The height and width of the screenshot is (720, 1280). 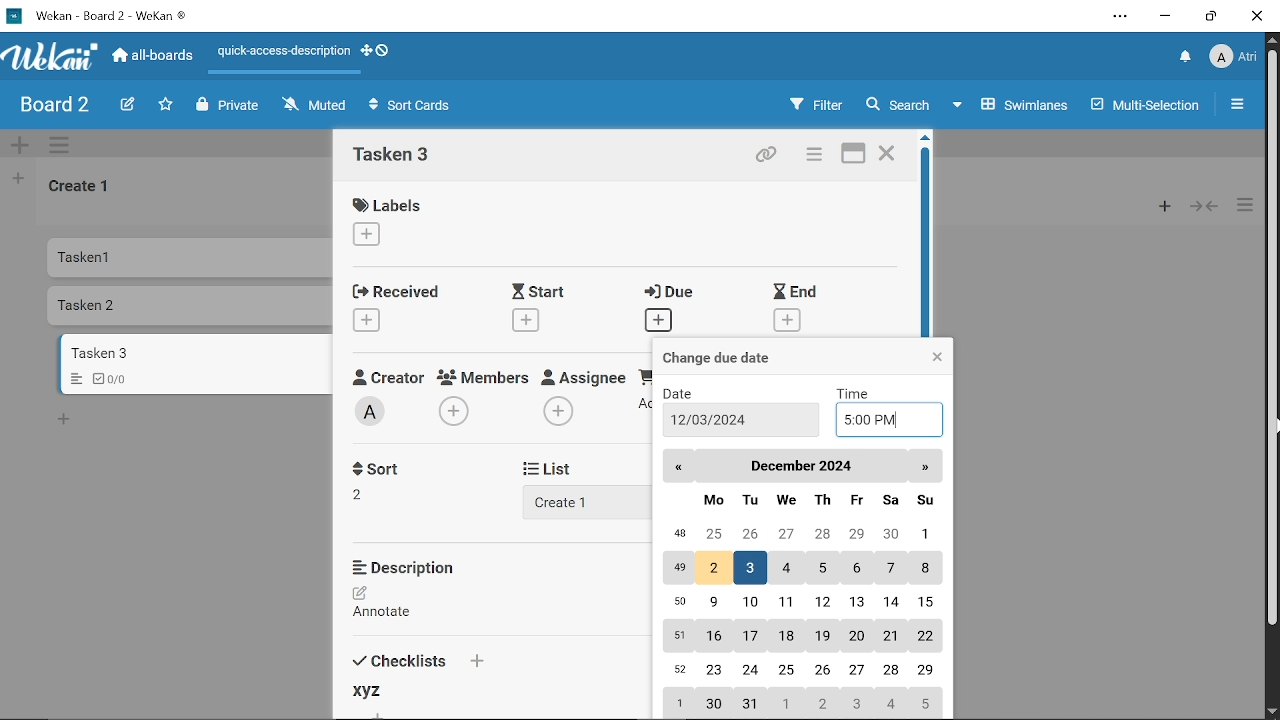 I want to click on List titled "Create 1", so click(x=82, y=188).